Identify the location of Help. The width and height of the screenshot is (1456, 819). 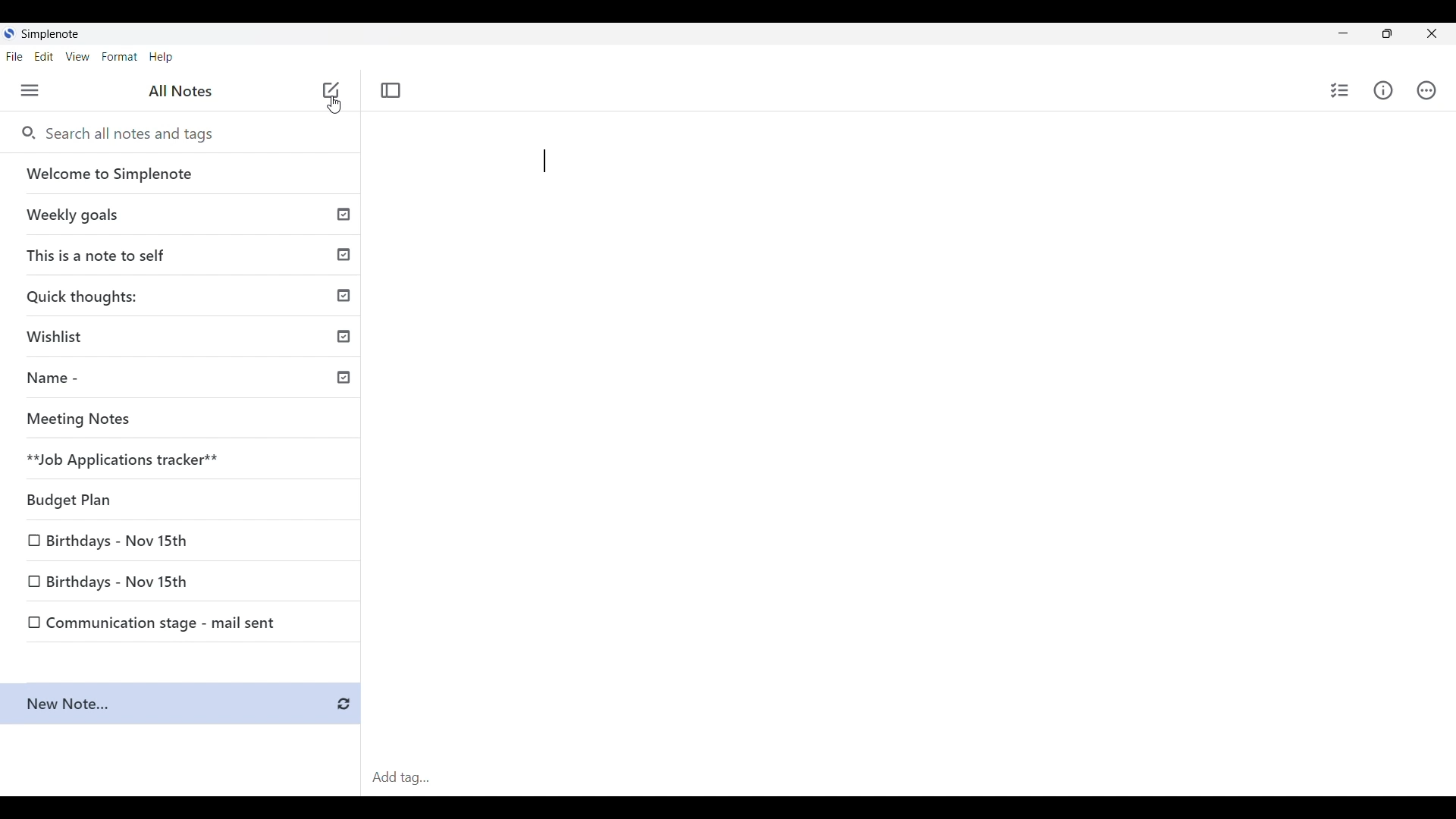
(162, 58).